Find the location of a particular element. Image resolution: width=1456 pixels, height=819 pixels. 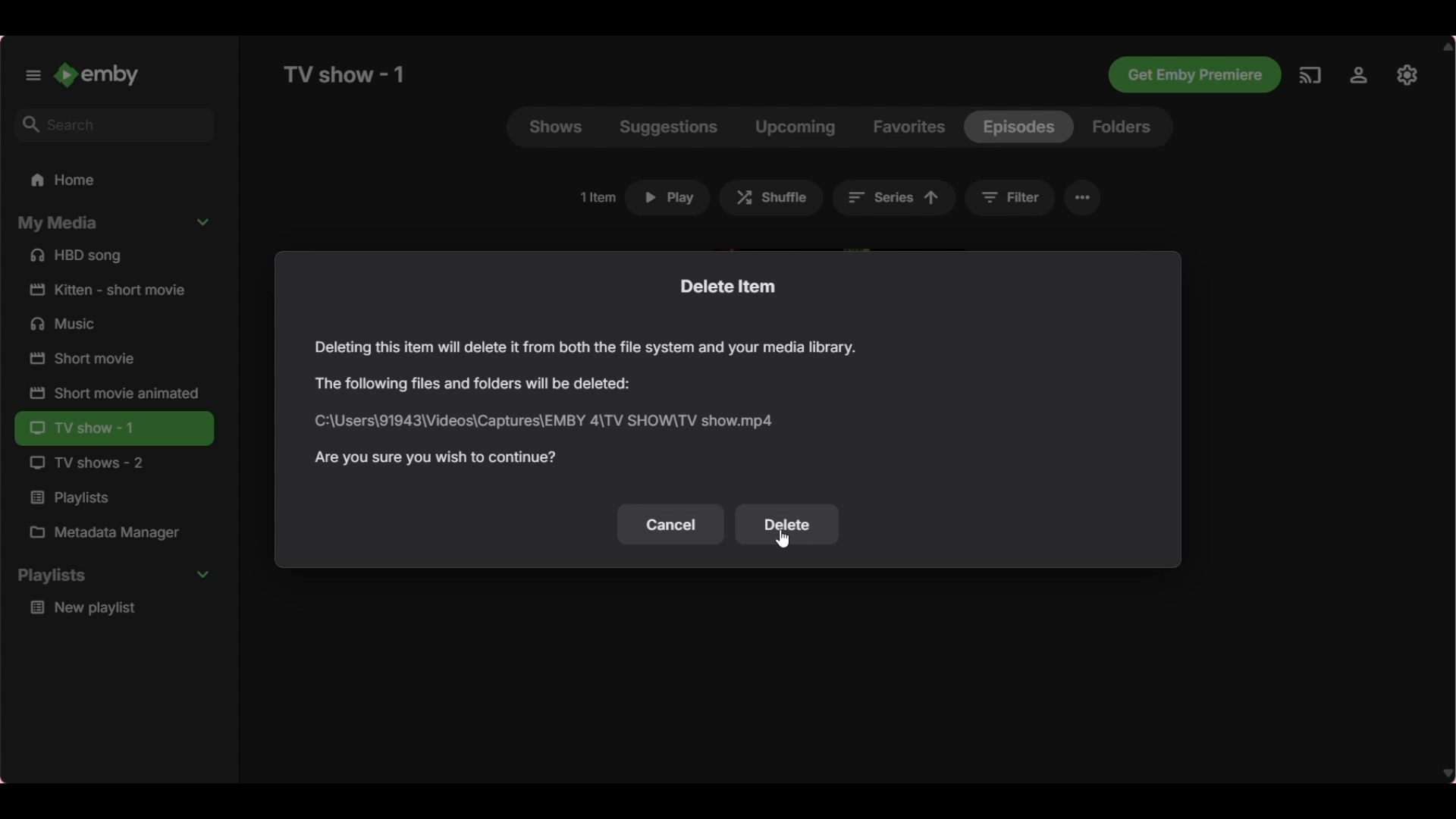

Window text is located at coordinates (590, 402).